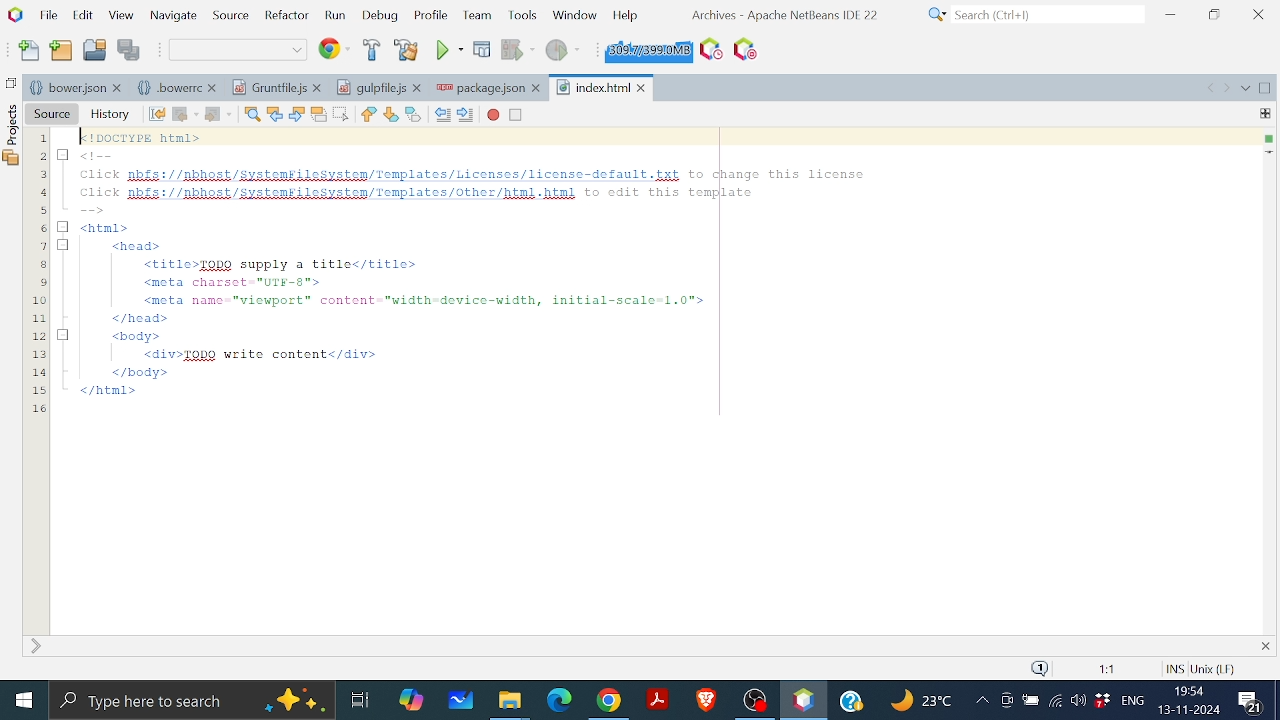  I want to click on close, so click(642, 87).